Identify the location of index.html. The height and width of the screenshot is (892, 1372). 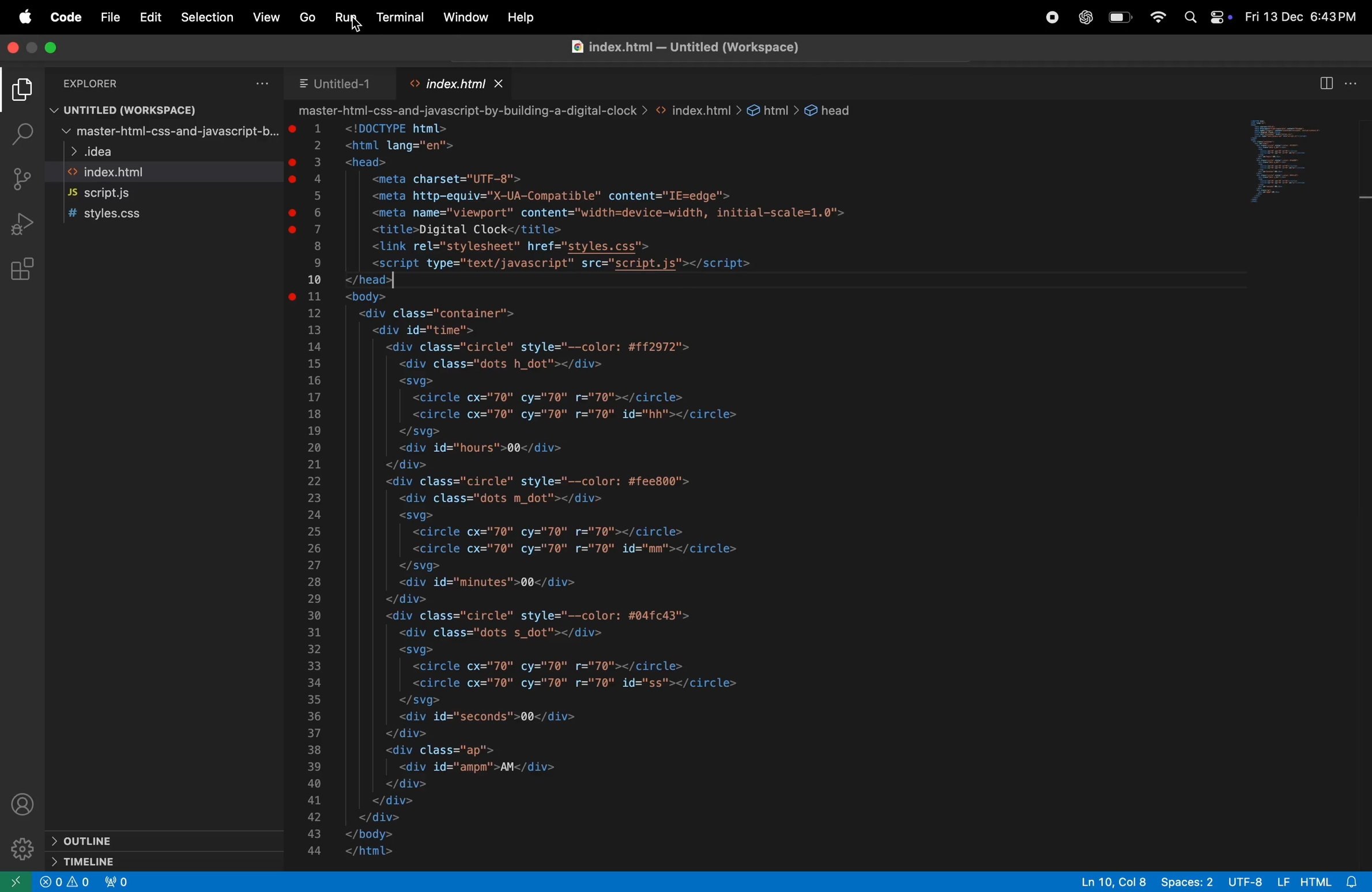
(118, 173).